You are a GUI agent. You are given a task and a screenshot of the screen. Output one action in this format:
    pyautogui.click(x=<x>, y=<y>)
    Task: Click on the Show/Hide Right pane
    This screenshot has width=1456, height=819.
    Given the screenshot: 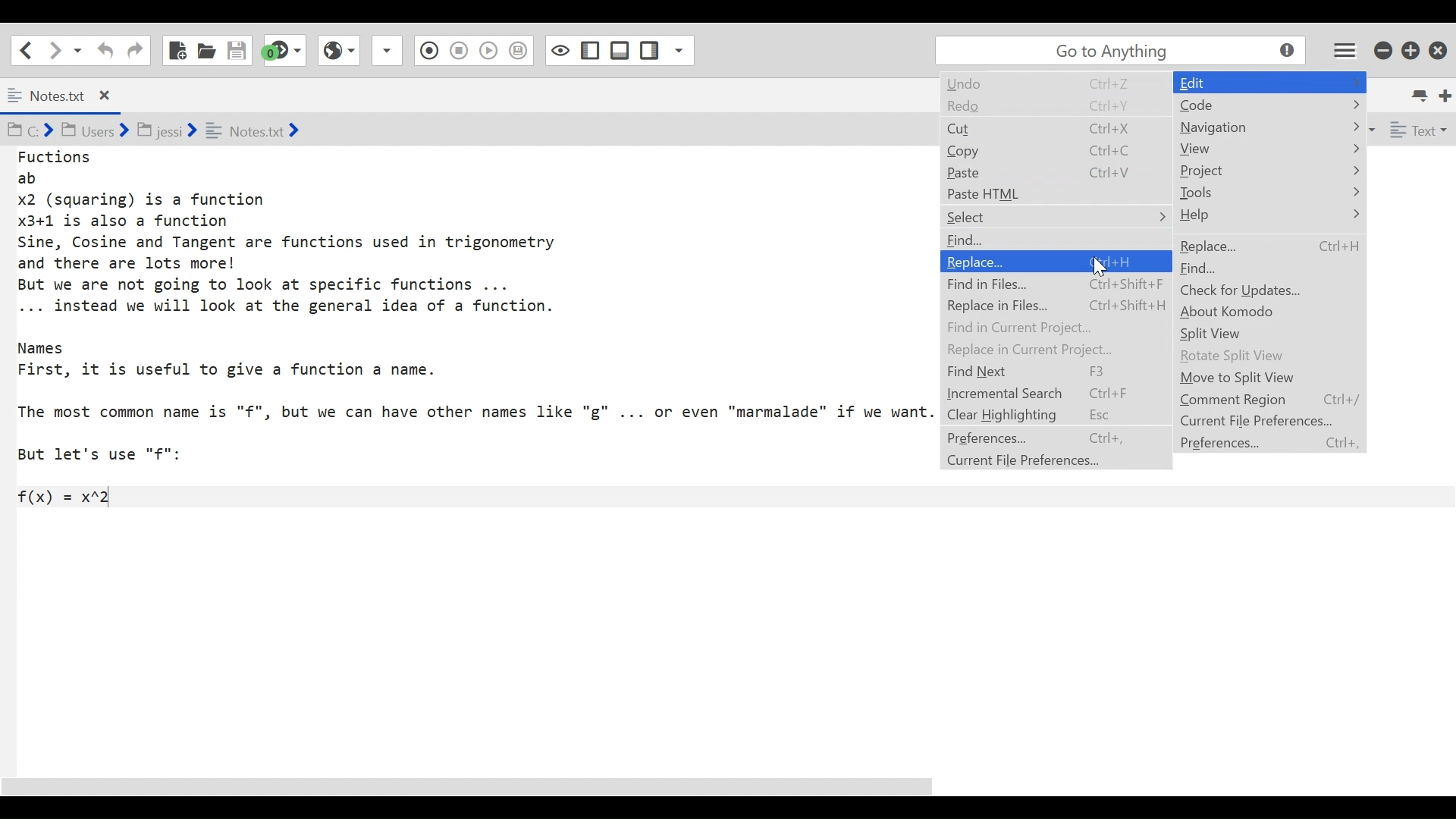 What is the action you would take?
    pyautogui.click(x=559, y=49)
    